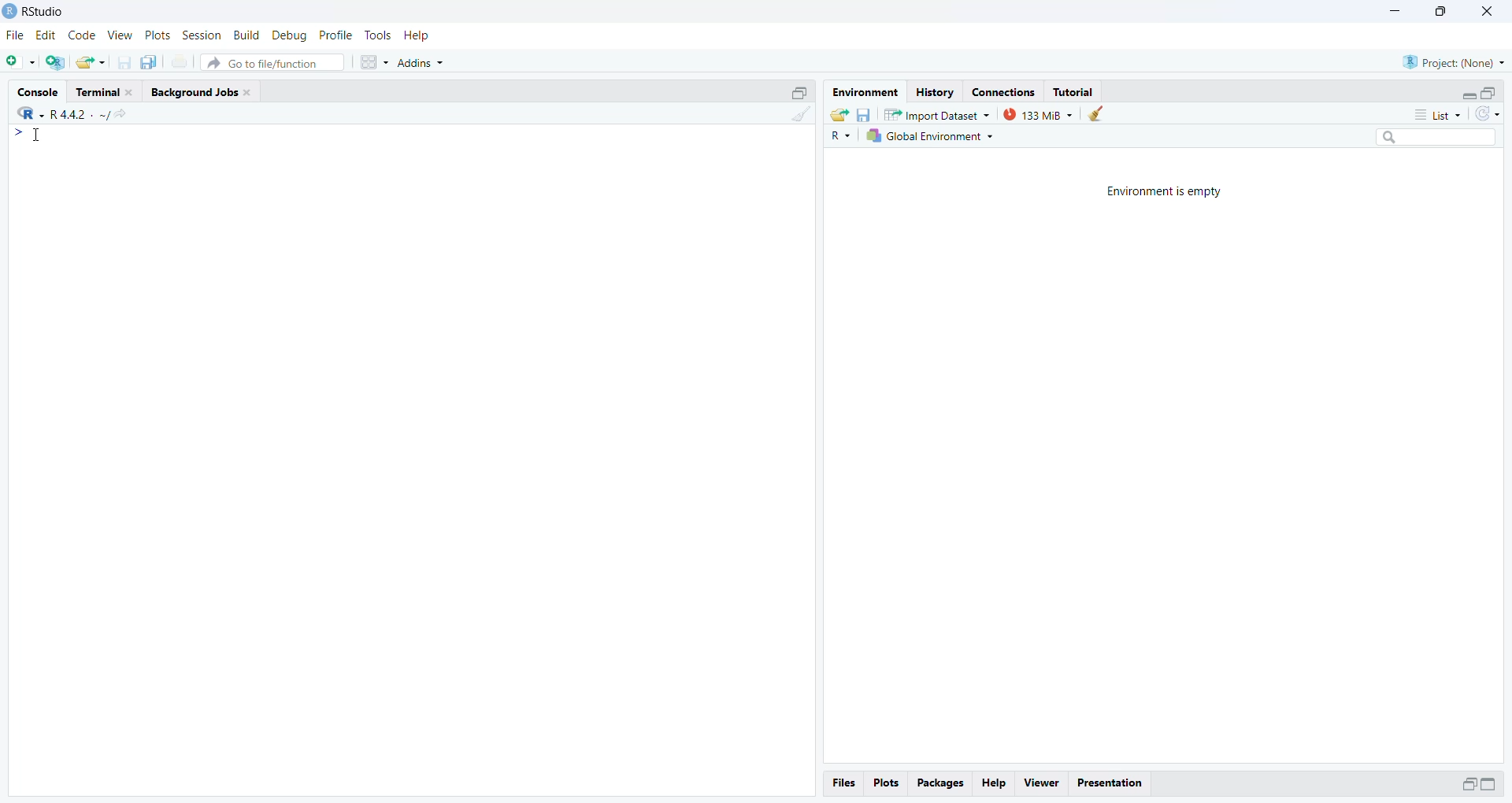  I want to click on > , so click(13, 134).